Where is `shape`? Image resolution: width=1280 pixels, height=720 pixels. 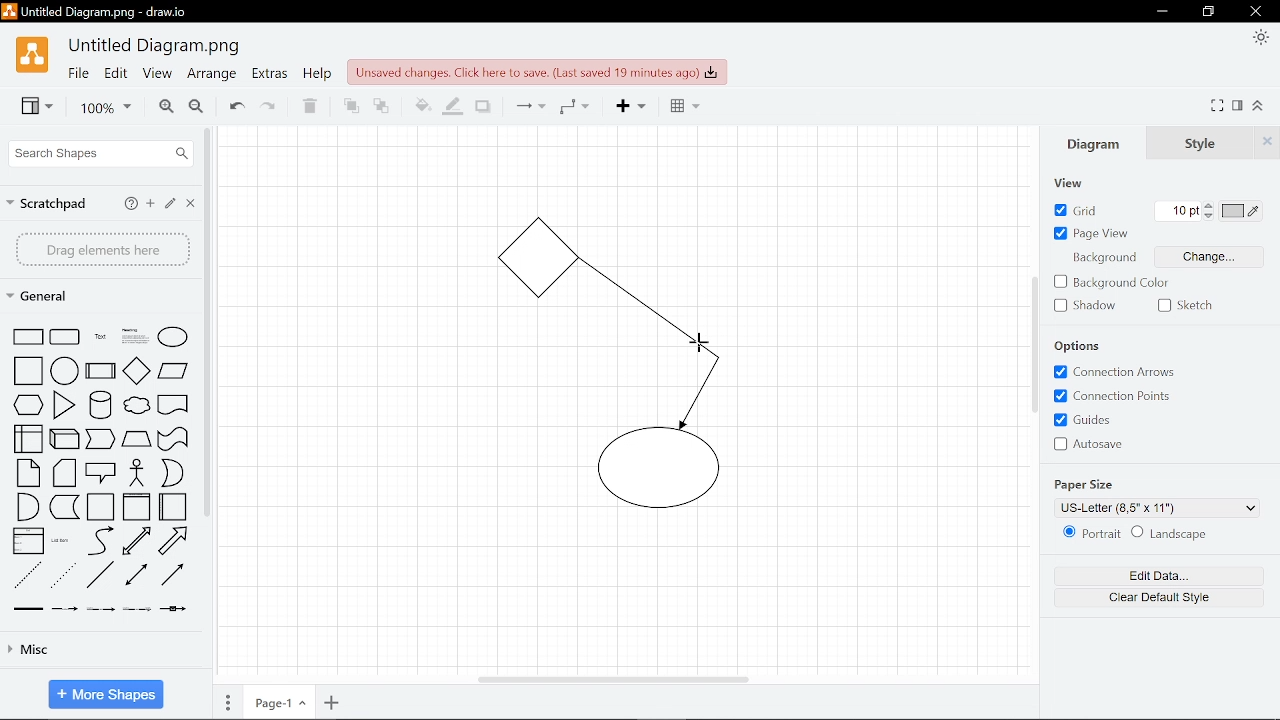
shape is located at coordinates (64, 577).